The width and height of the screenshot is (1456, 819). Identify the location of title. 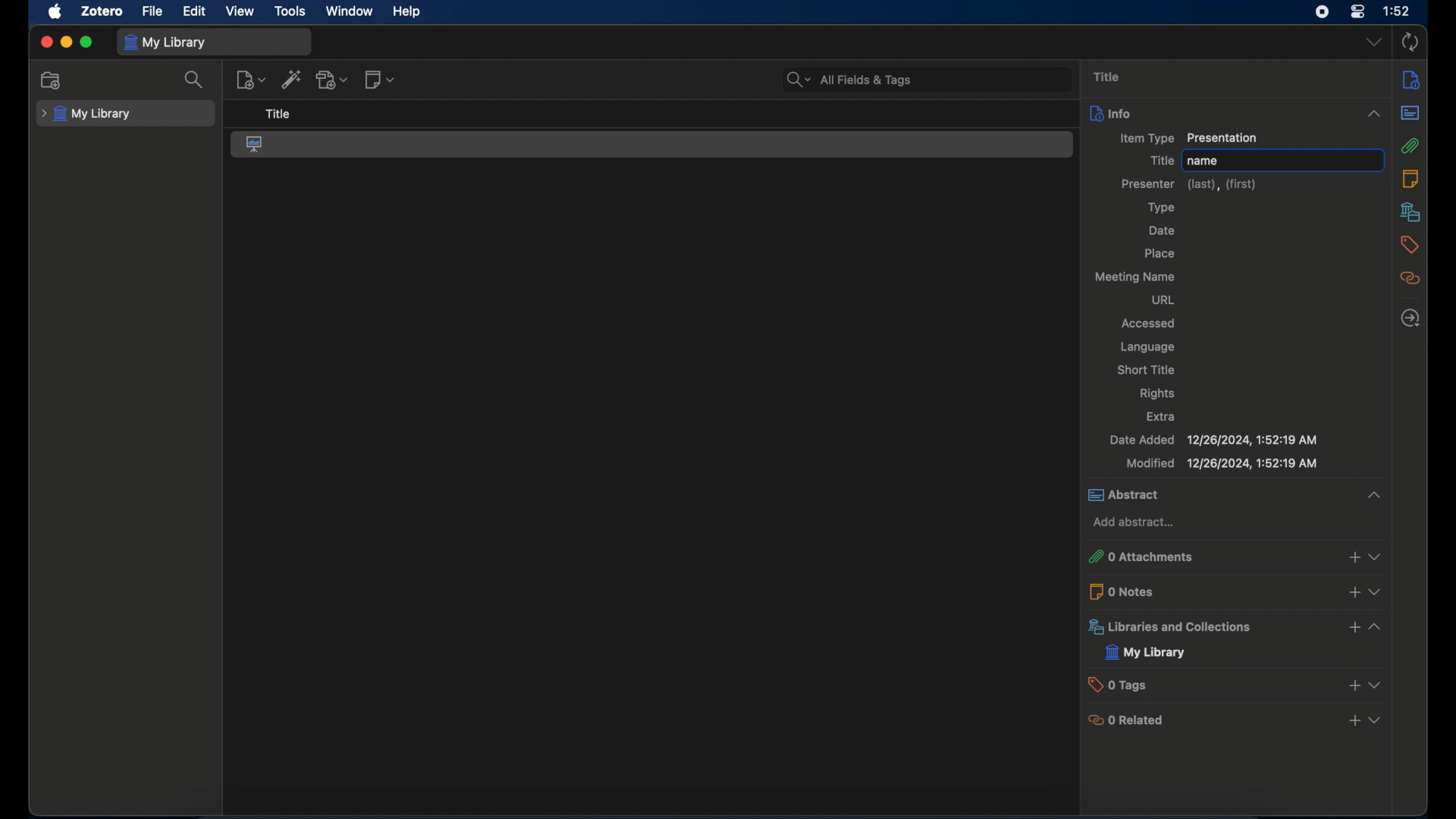
(277, 115).